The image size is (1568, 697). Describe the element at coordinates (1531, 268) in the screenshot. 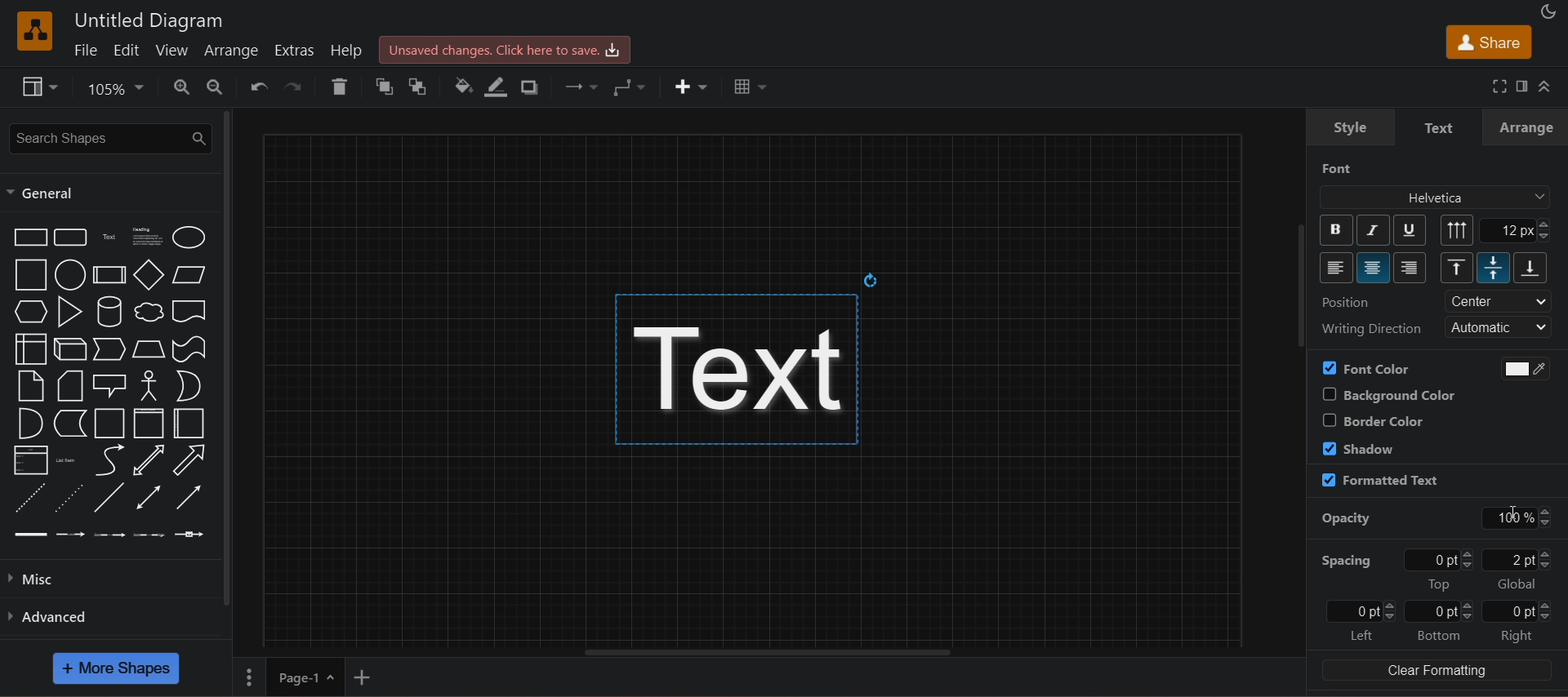

I see `bottom` at that location.